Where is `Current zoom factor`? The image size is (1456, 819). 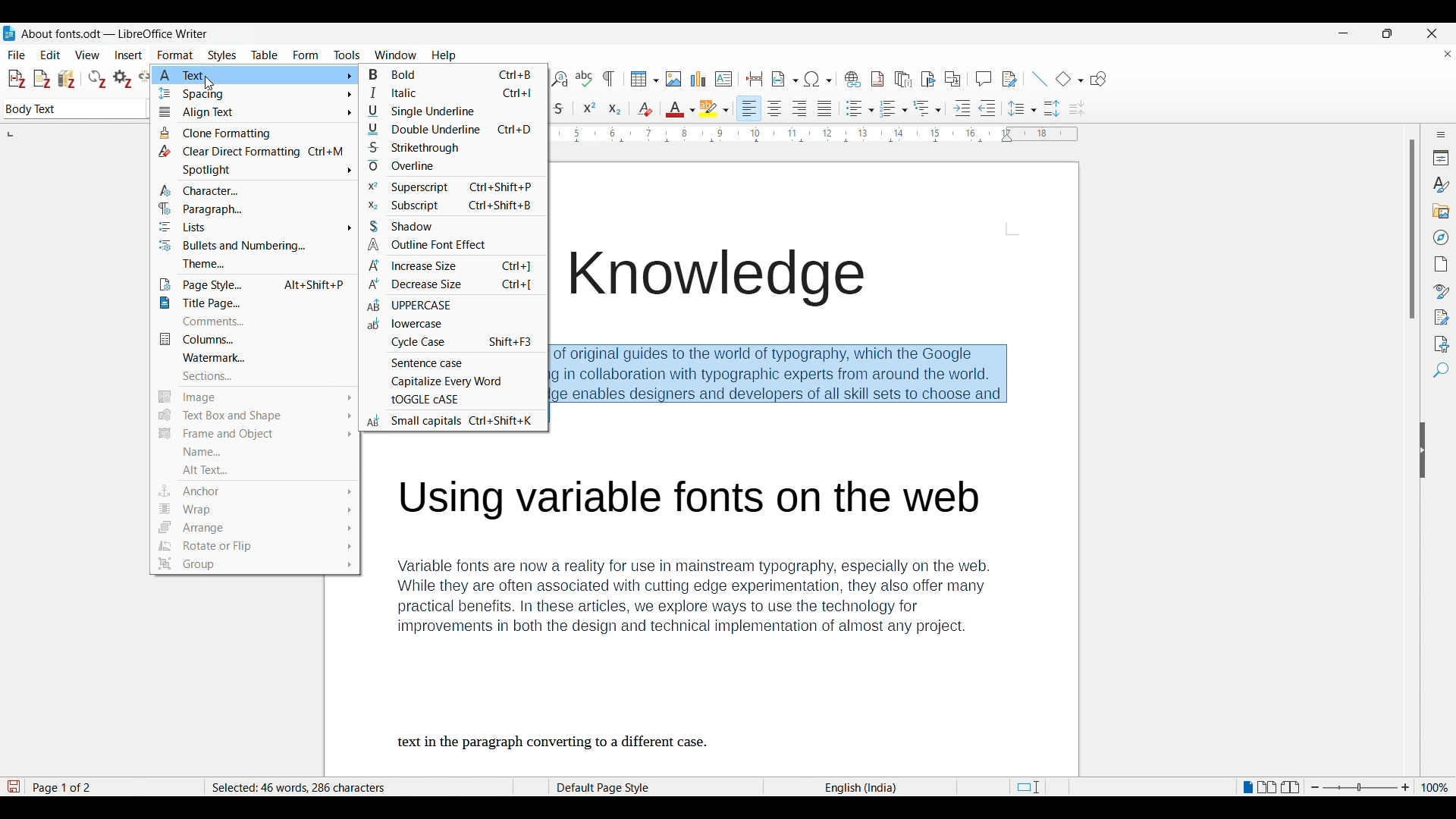 Current zoom factor is located at coordinates (1435, 787).